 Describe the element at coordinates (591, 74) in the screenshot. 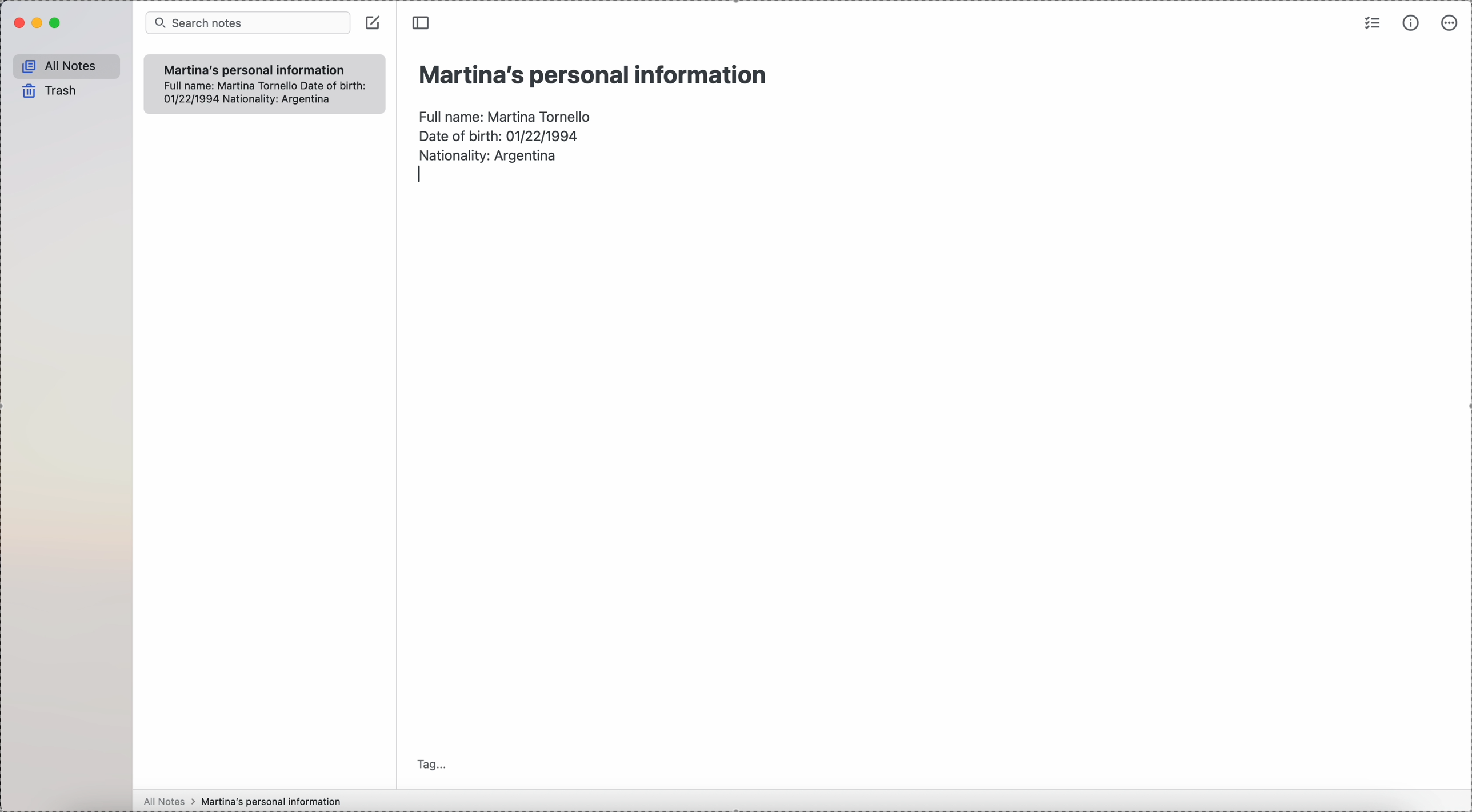

I see `title: Martina's personal information` at that location.